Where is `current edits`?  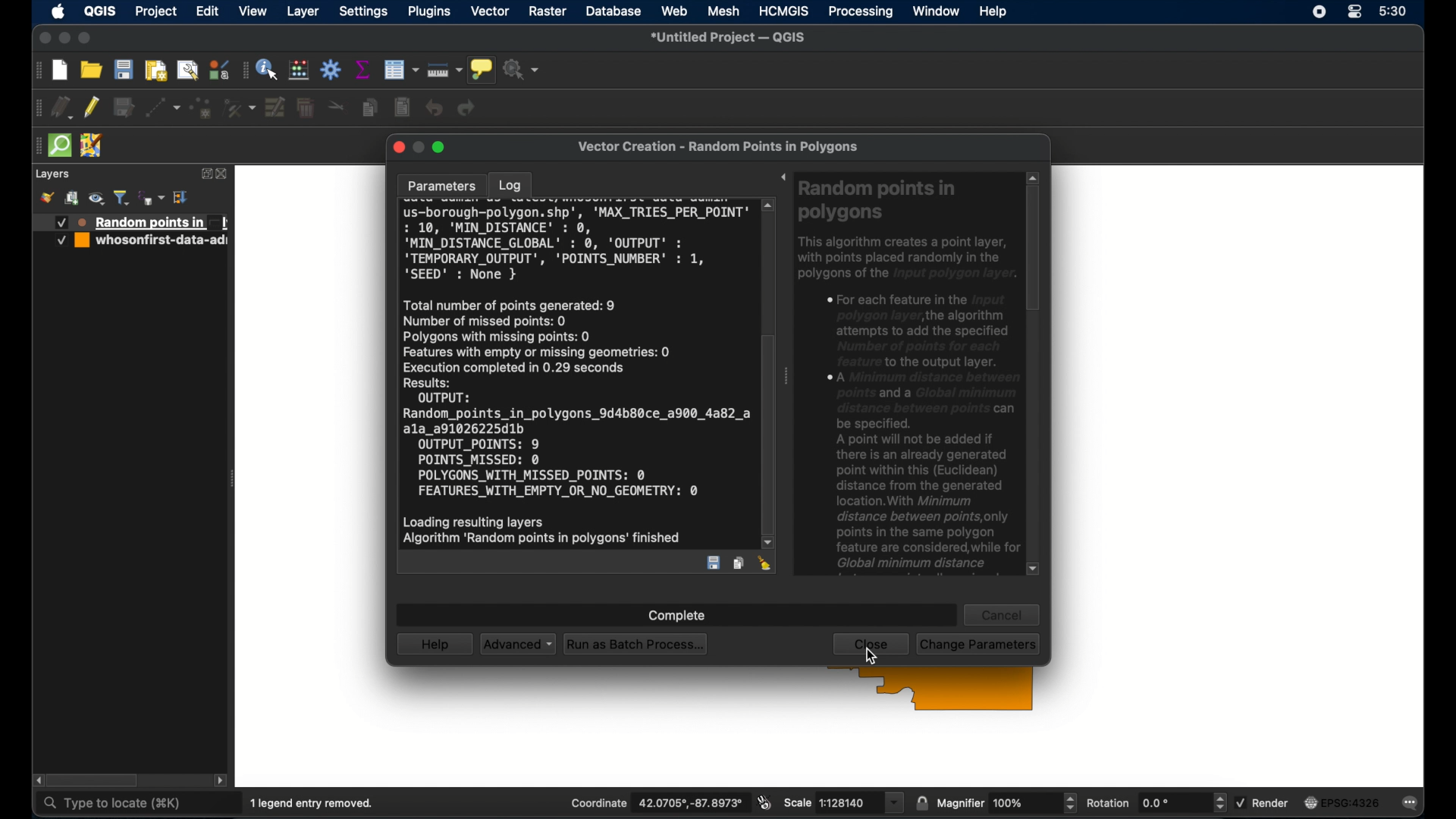 current edits is located at coordinates (61, 108).